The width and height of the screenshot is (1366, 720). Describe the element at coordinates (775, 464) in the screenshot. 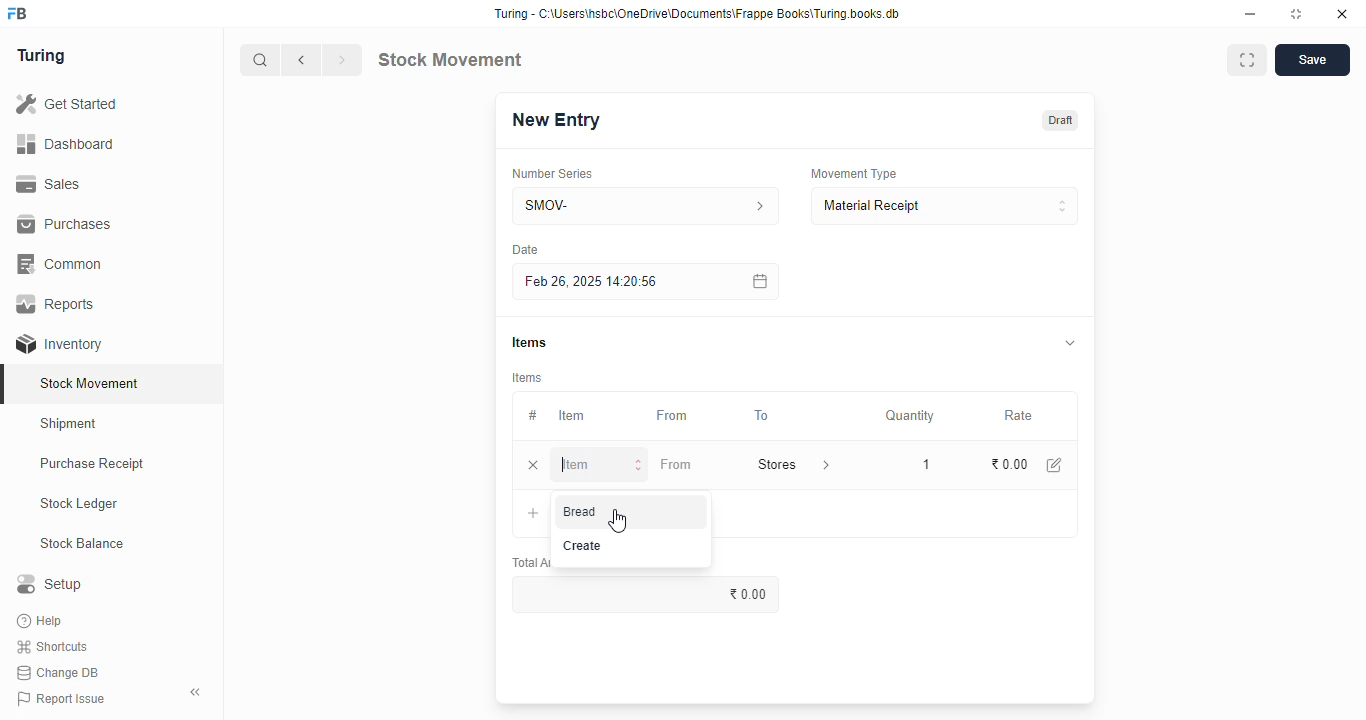

I see `stores` at that location.